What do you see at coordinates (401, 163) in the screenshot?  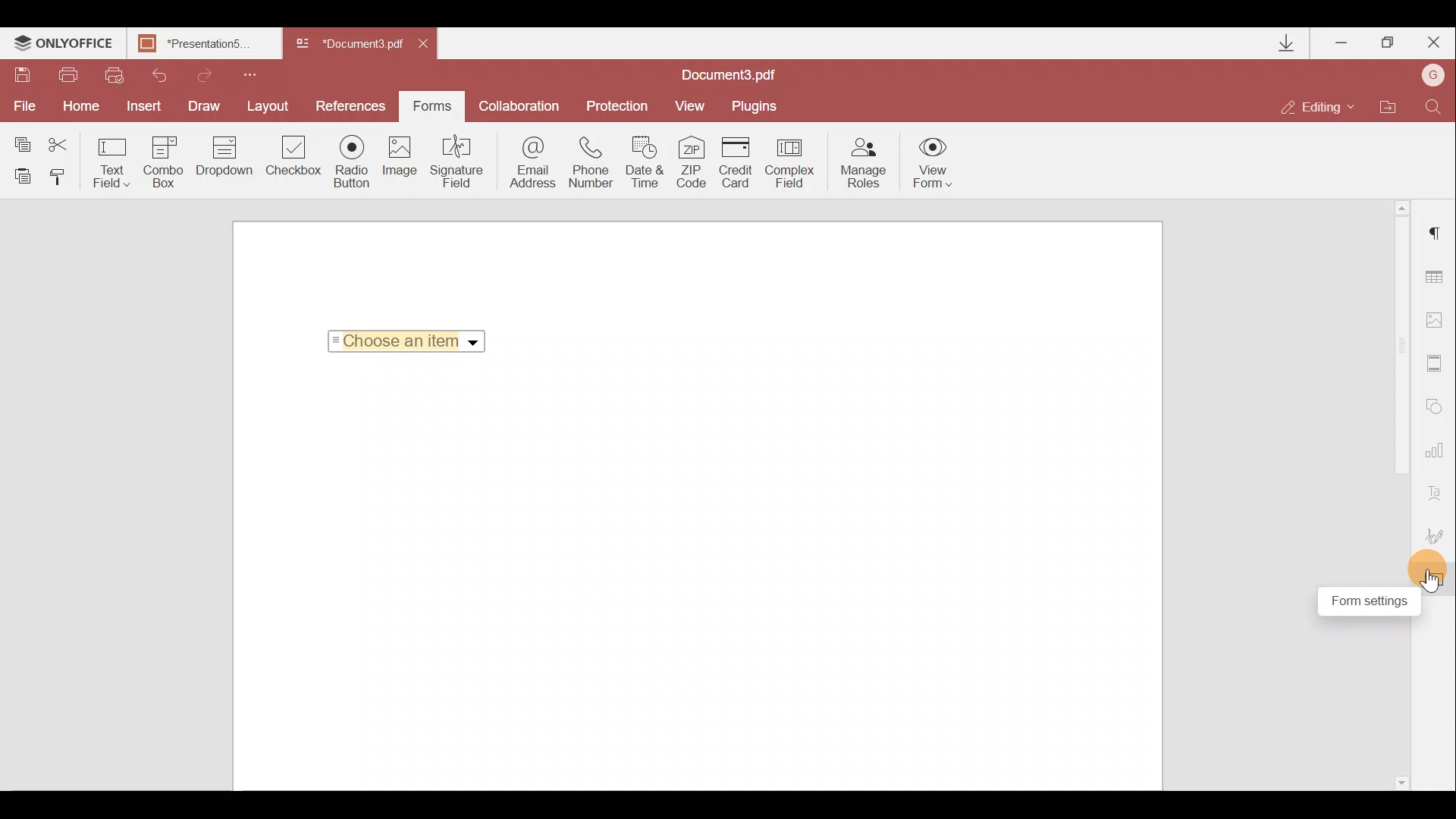 I see `Image` at bounding box center [401, 163].